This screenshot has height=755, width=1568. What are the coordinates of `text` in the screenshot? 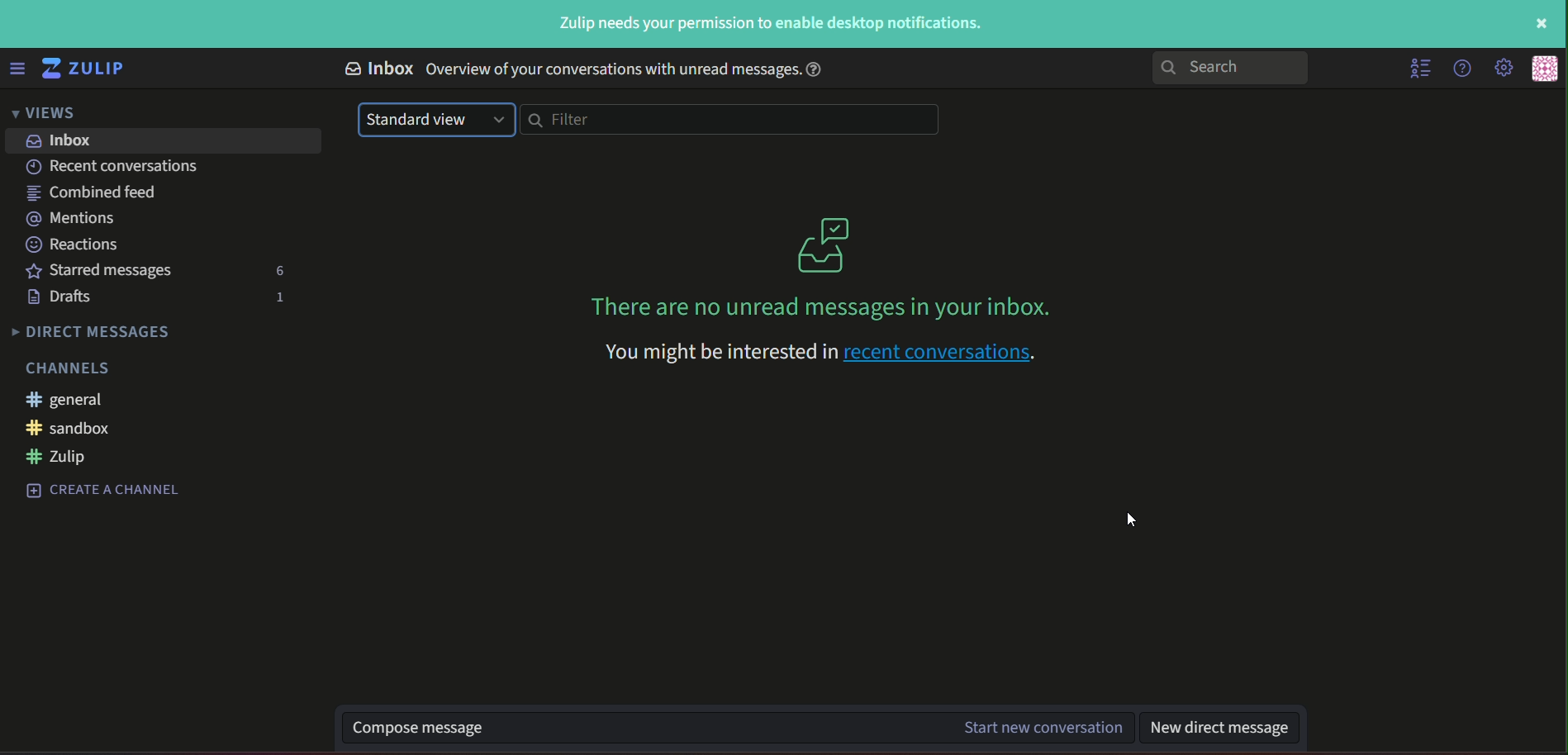 It's located at (107, 269).